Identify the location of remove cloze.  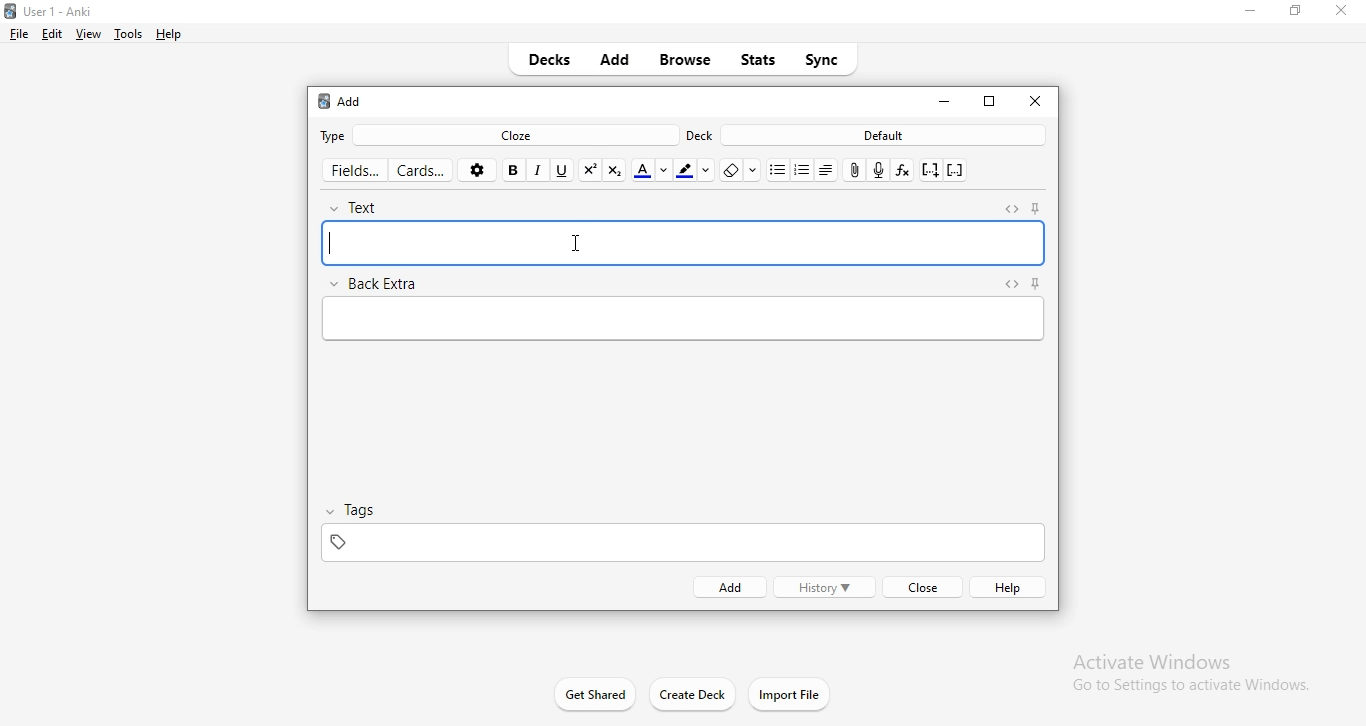
(956, 171).